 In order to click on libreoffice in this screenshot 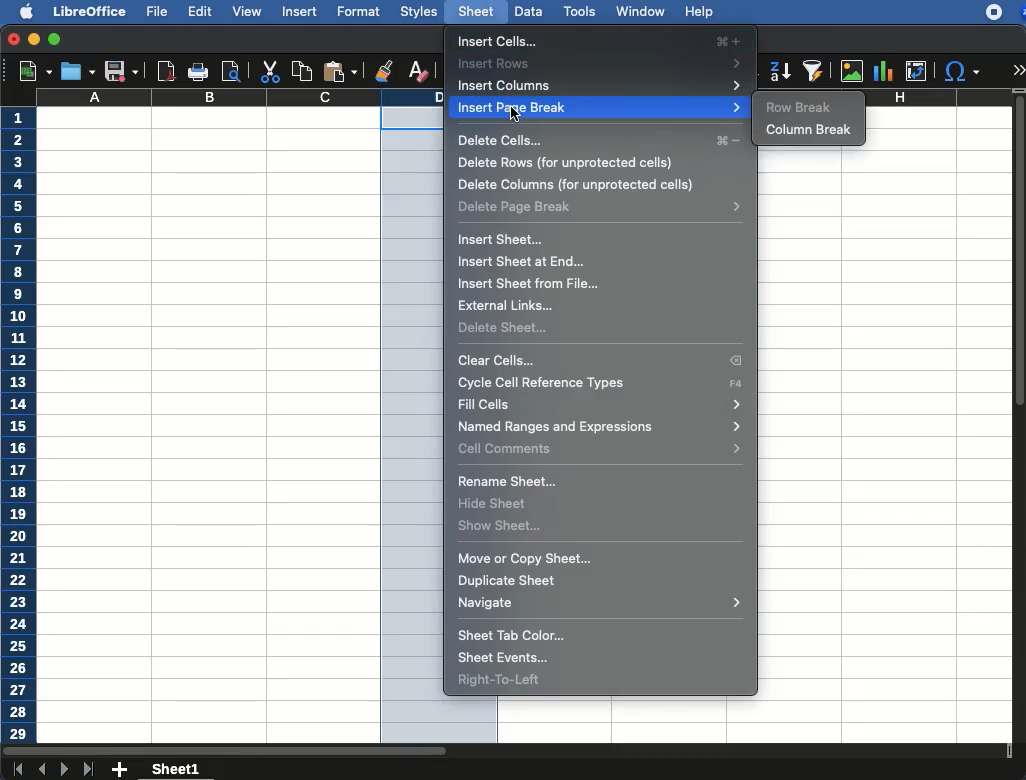, I will do `click(87, 10)`.